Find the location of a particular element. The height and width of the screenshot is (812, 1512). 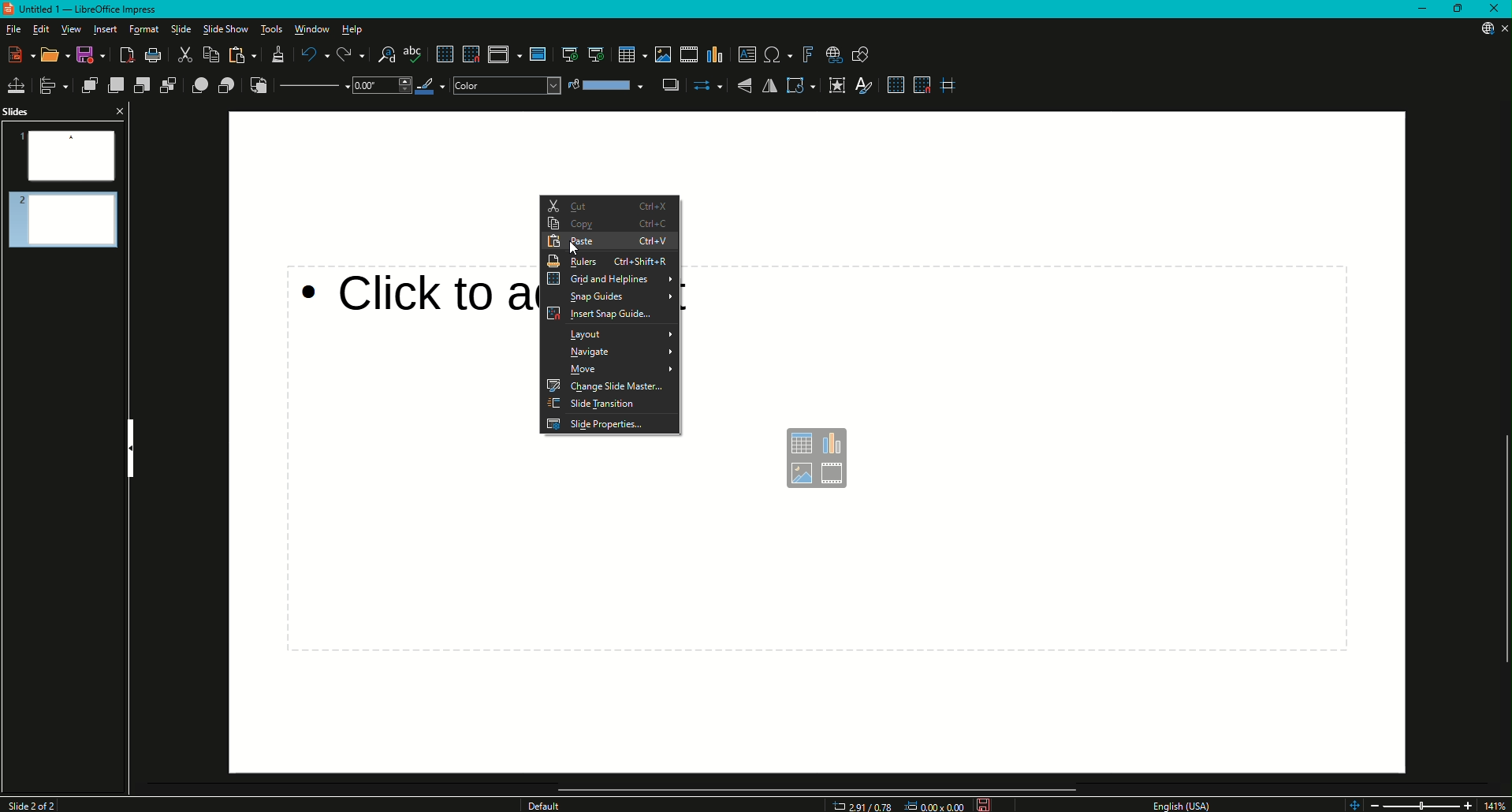

English USA is located at coordinates (1186, 804).